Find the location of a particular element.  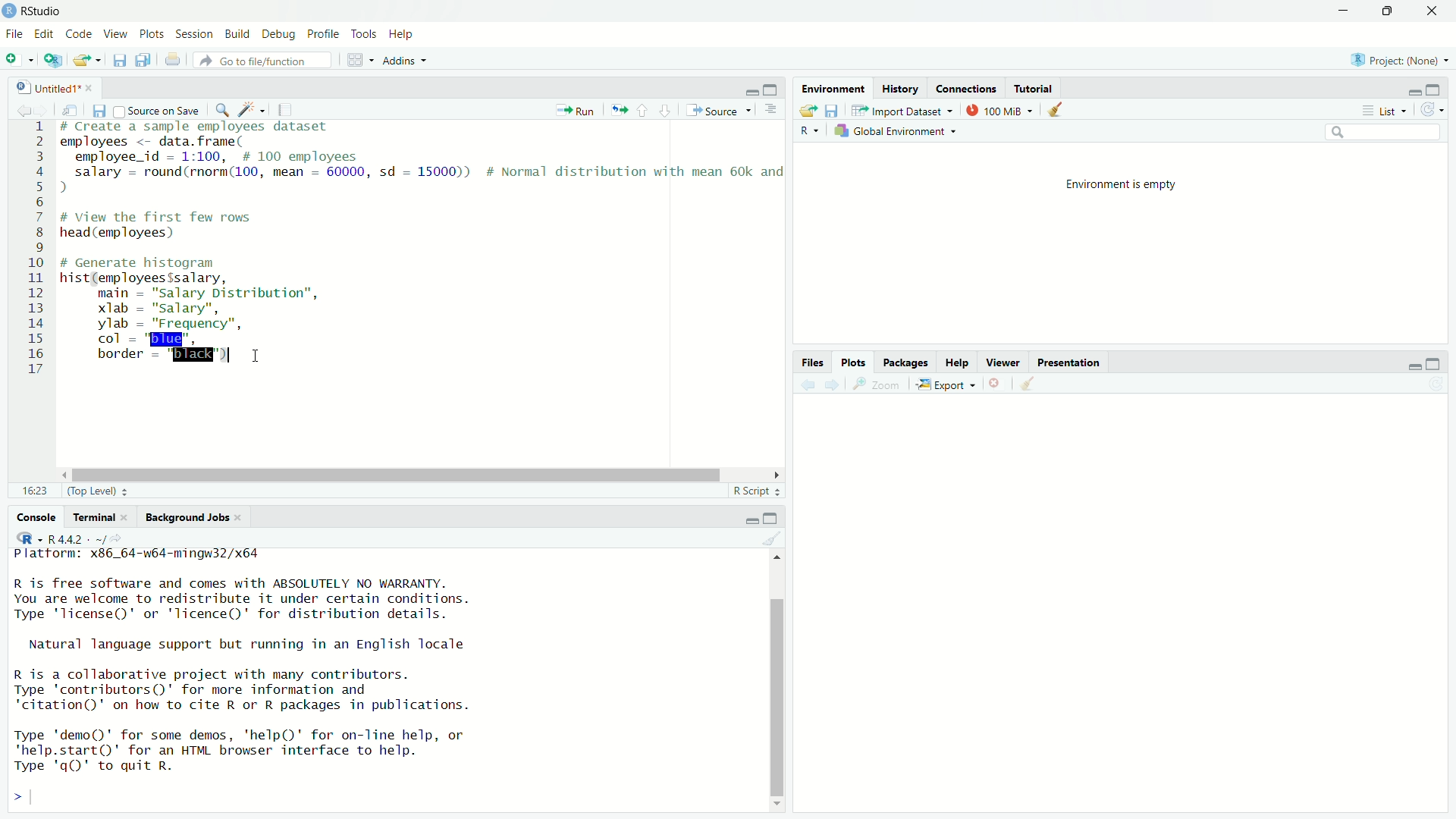

list is located at coordinates (1387, 111).